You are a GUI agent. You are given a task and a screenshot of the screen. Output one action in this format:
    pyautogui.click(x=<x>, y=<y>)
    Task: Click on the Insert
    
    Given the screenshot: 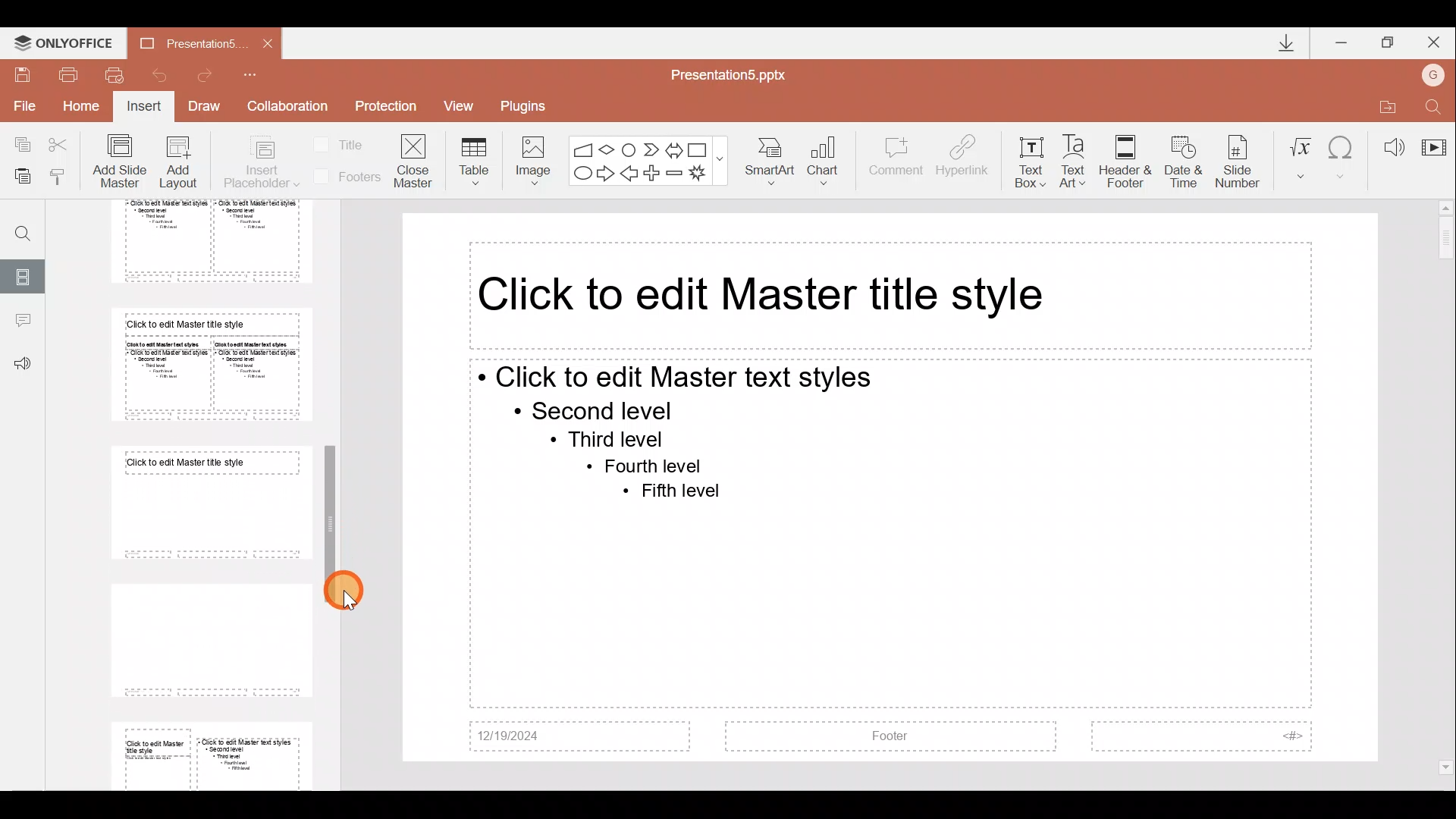 What is the action you would take?
    pyautogui.click(x=145, y=108)
    